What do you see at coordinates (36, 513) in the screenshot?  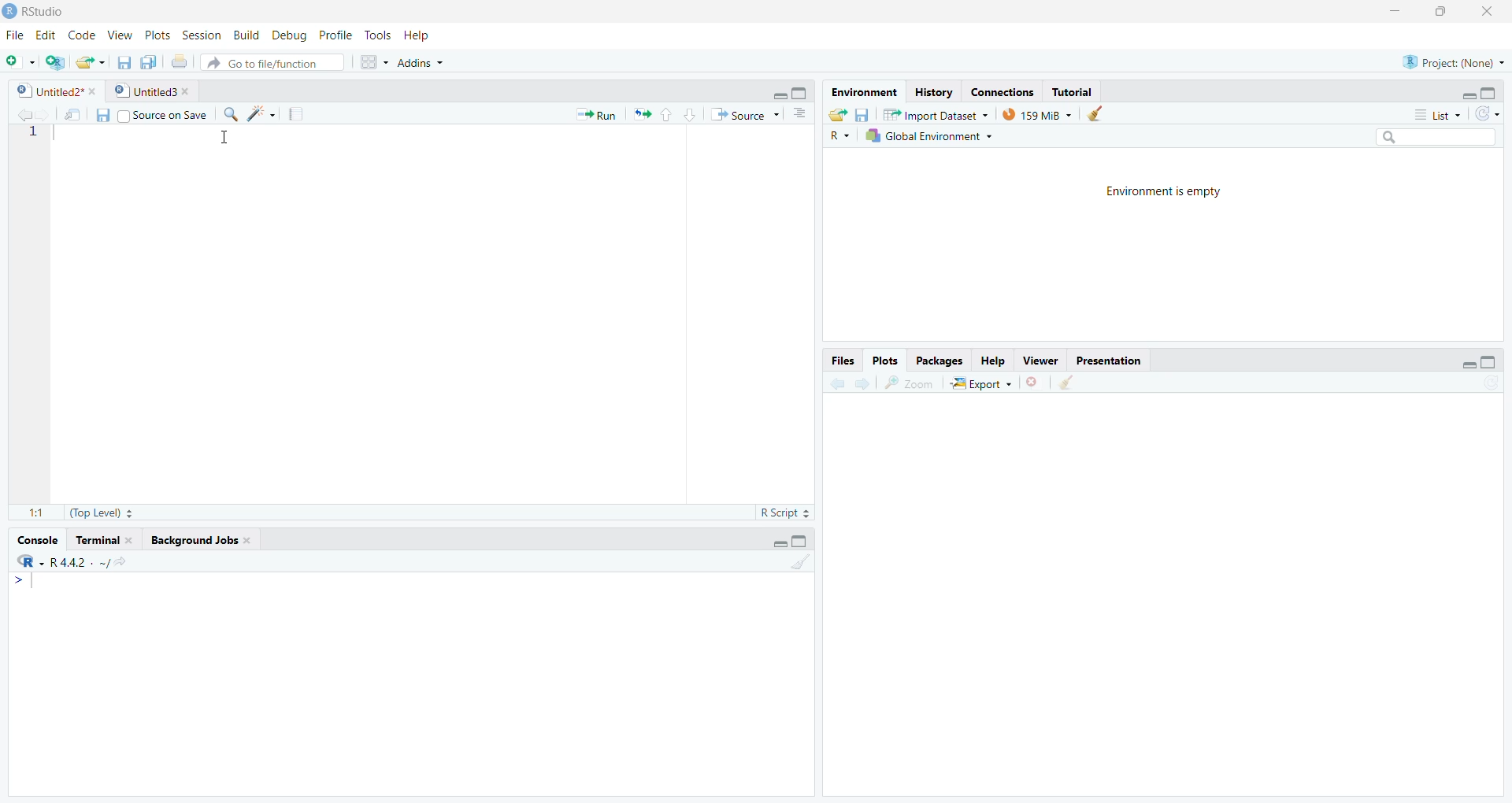 I see `1:1` at bounding box center [36, 513].